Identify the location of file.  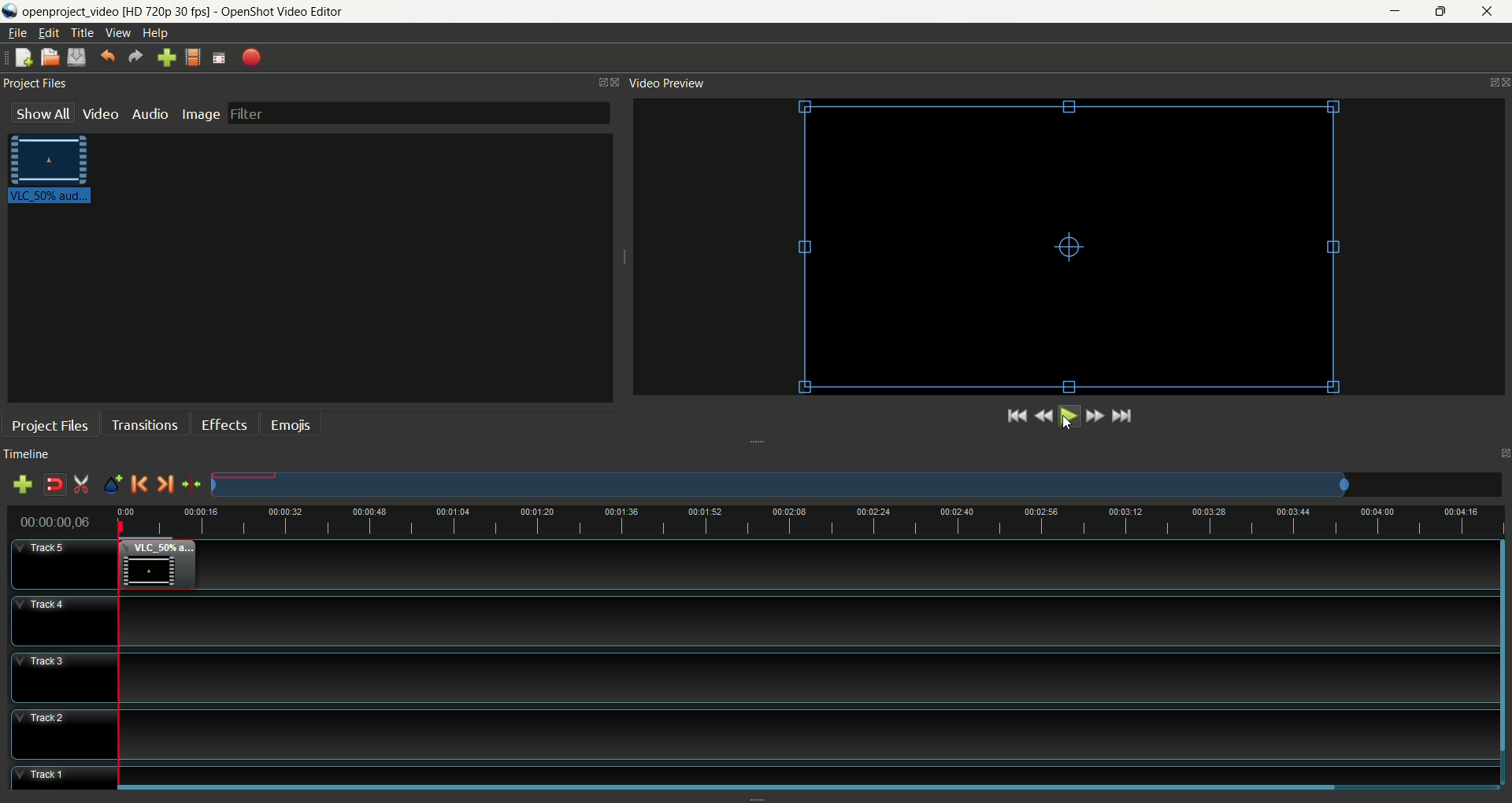
(17, 33).